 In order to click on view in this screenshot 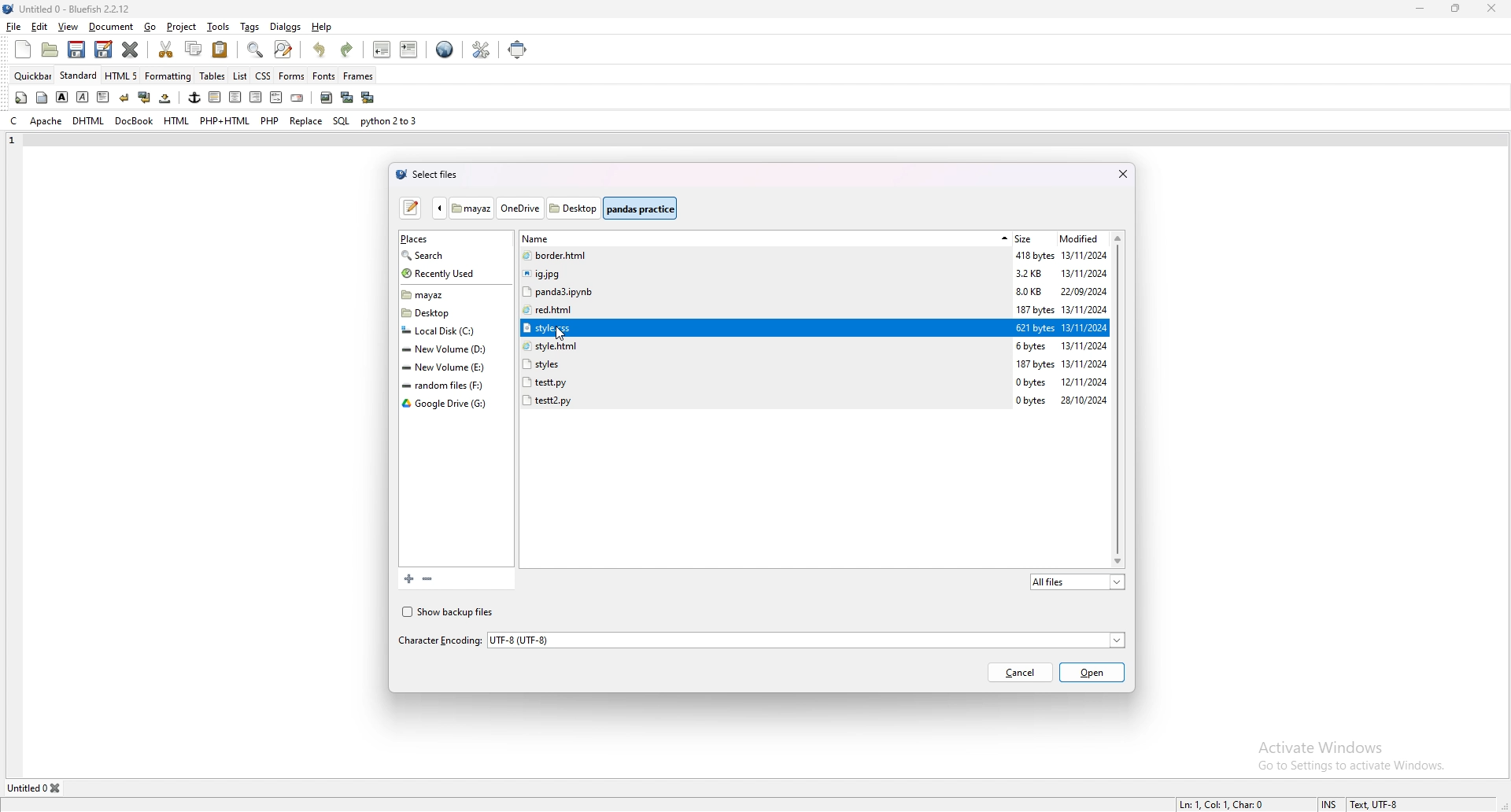, I will do `click(68, 27)`.